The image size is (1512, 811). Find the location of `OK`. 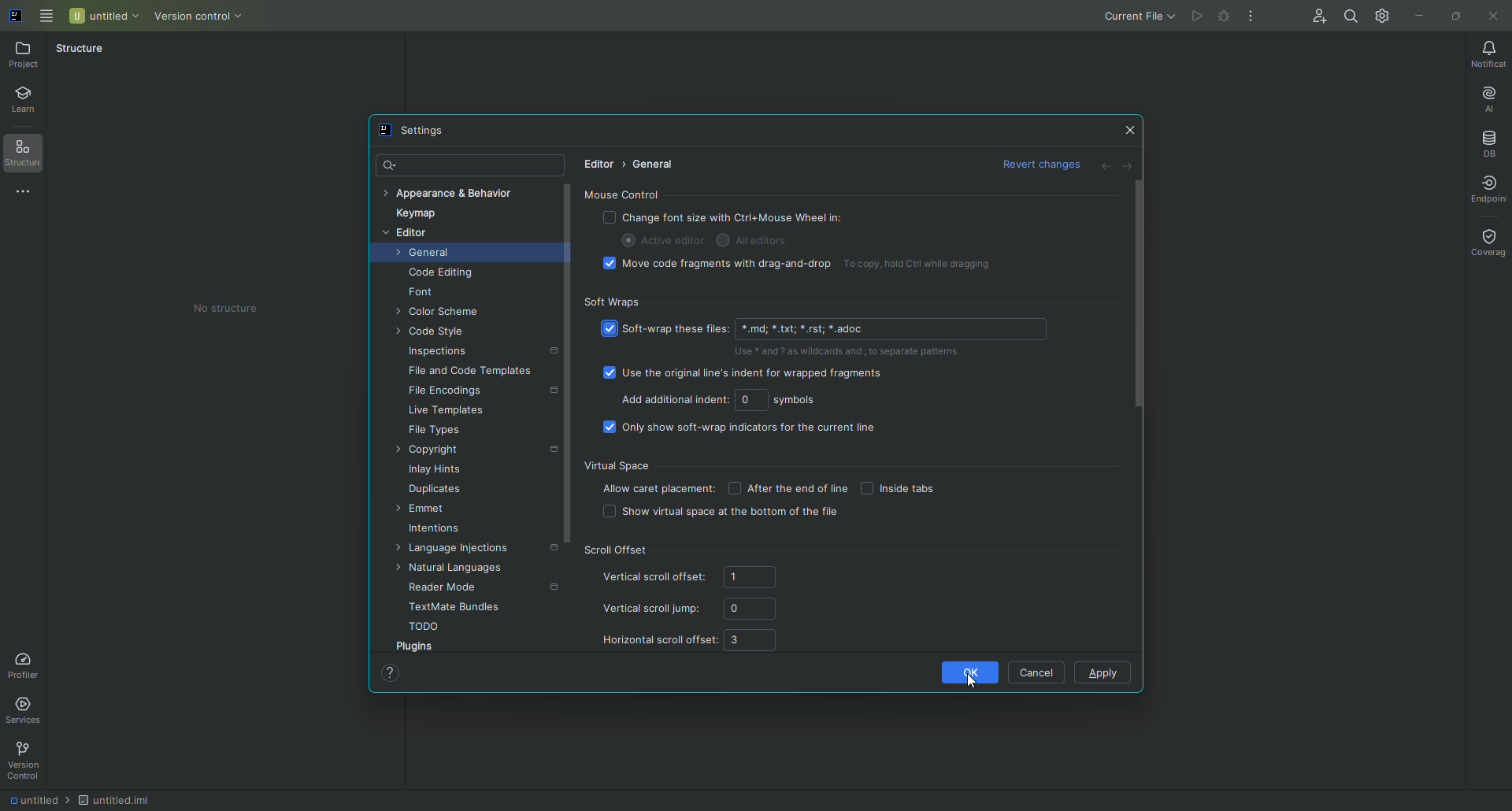

OK is located at coordinates (961, 672).